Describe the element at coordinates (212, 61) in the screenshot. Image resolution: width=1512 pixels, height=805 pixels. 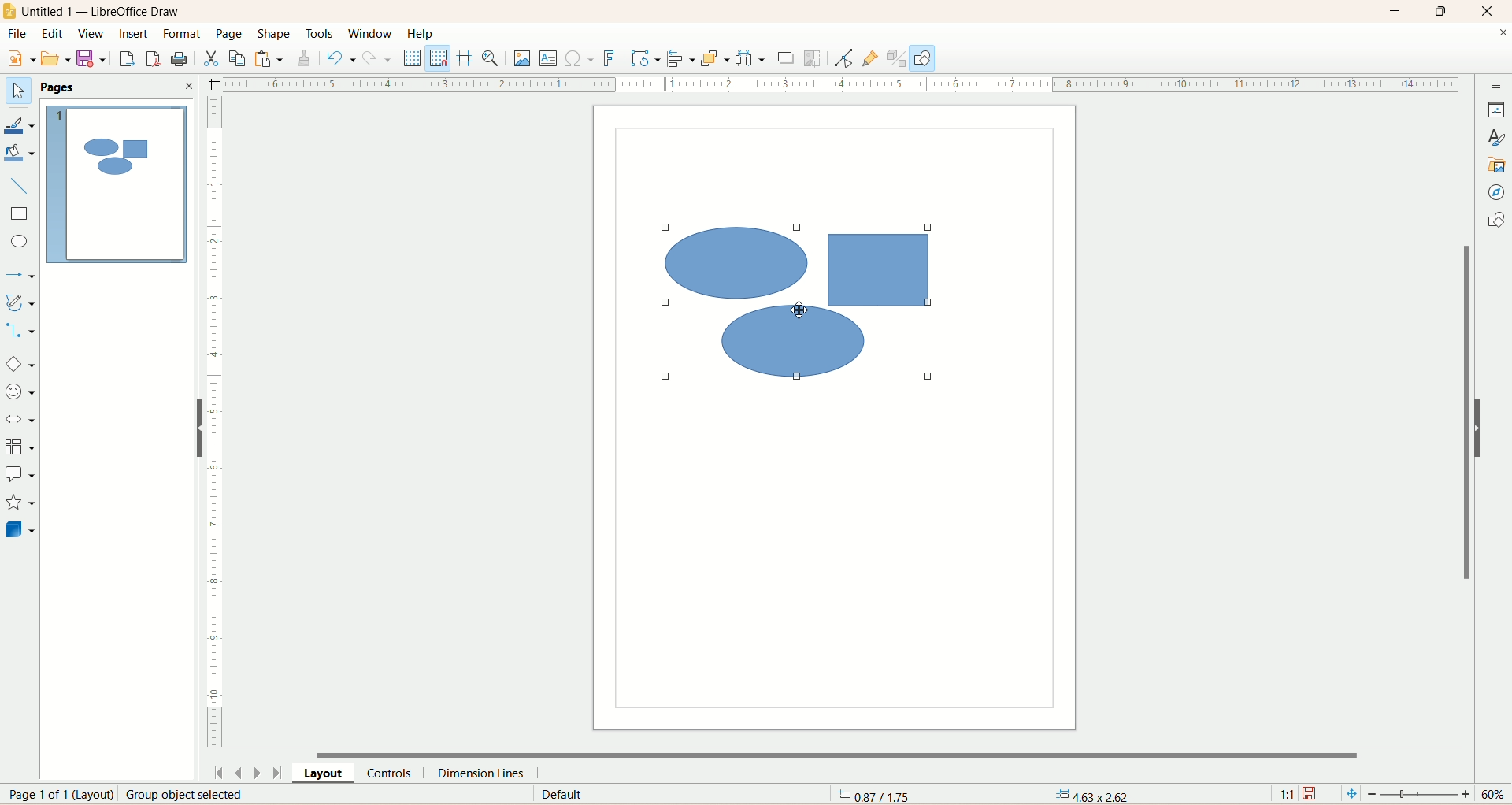
I see `cut` at that location.